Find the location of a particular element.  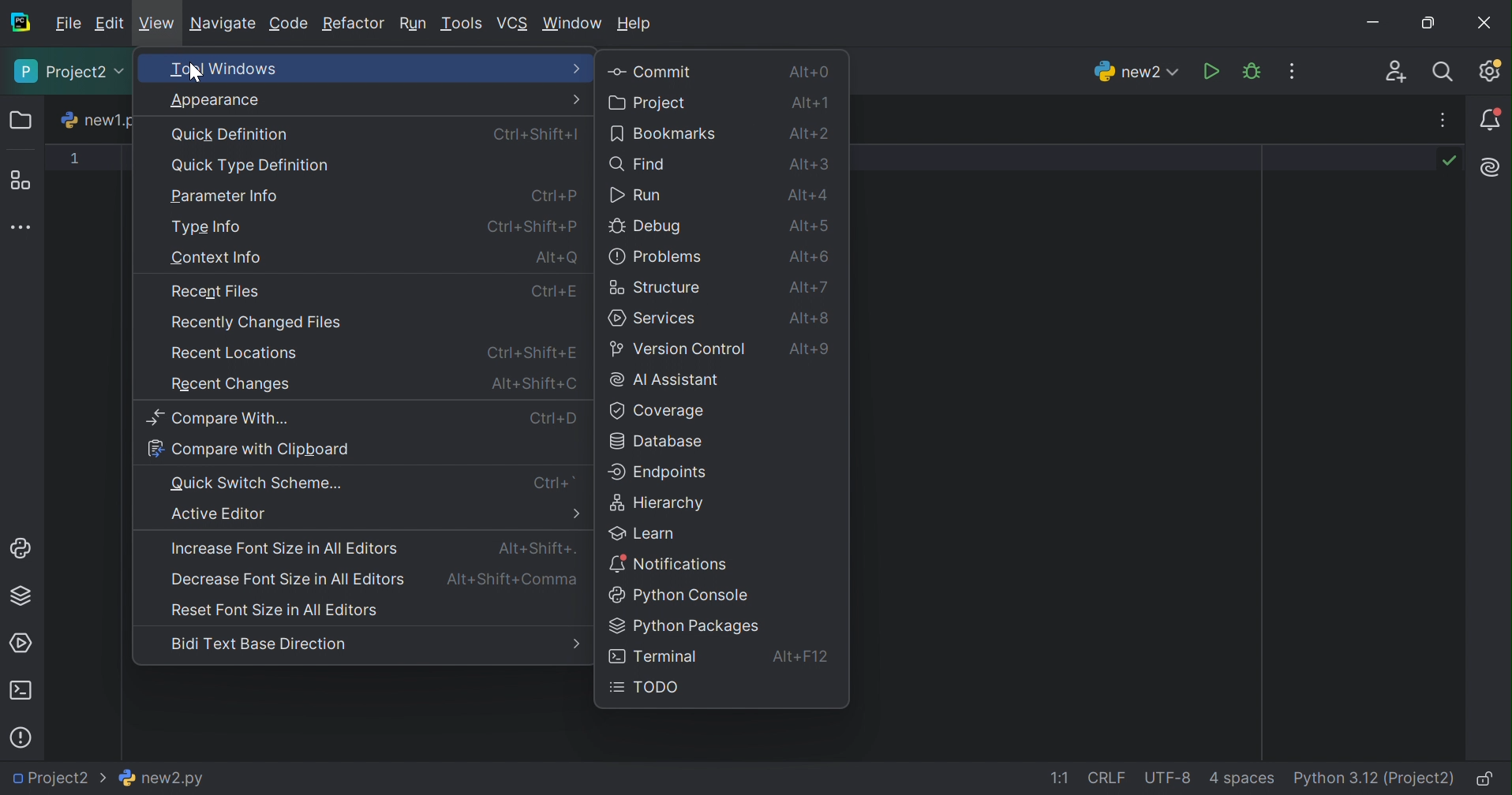

Alt+9 is located at coordinates (814, 352).